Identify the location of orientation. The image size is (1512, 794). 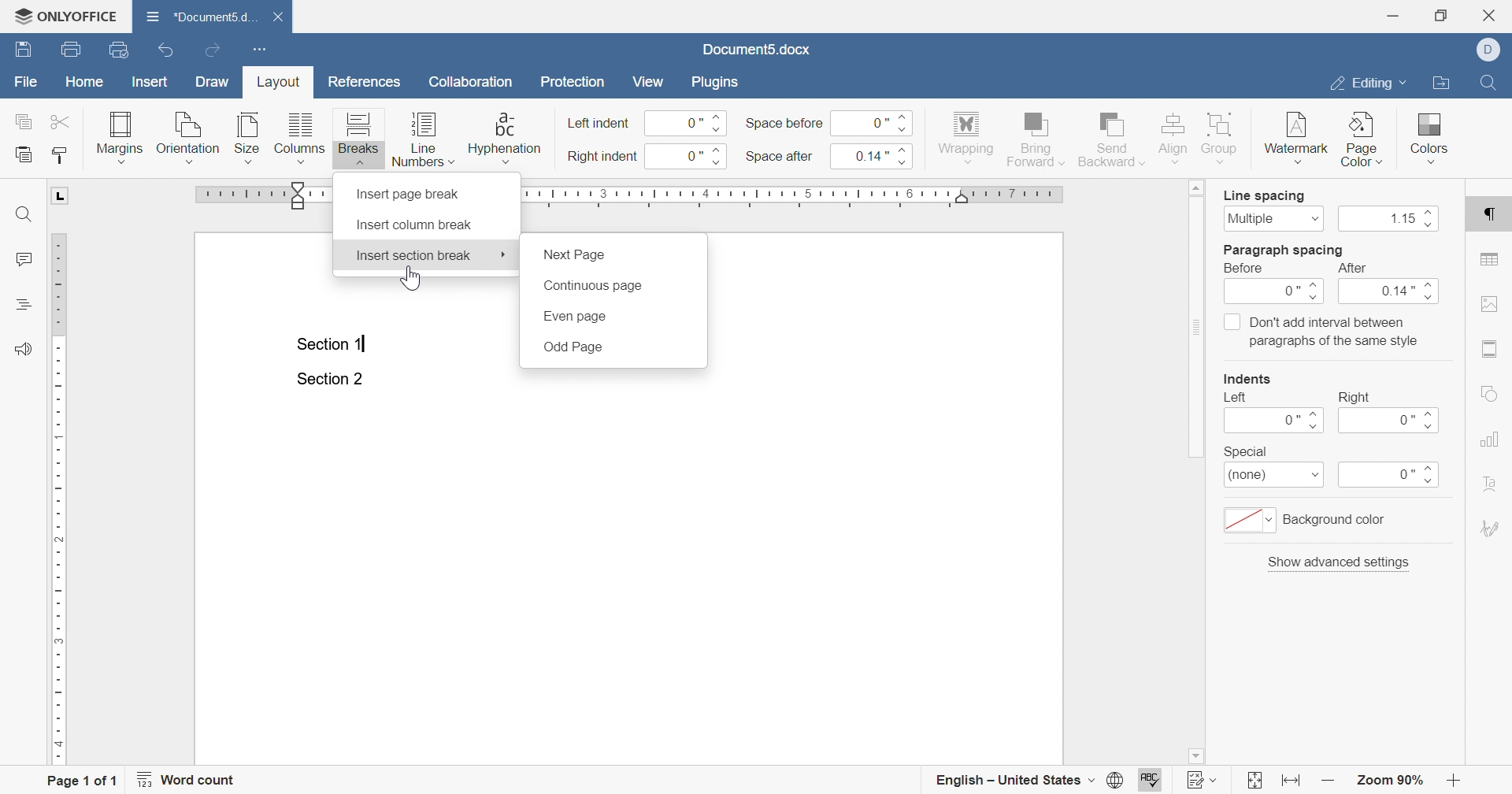
(188, 136).